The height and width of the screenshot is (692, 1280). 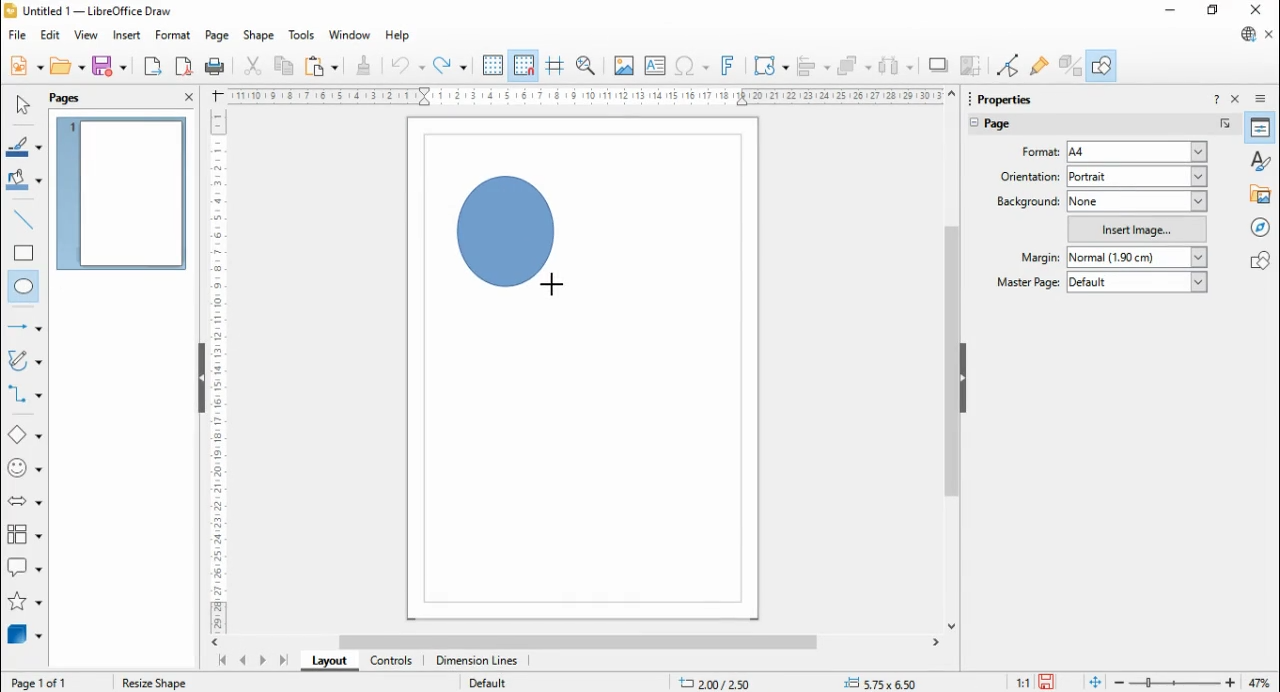 I want to click on zoom and pan, so click(x=586, y=66).